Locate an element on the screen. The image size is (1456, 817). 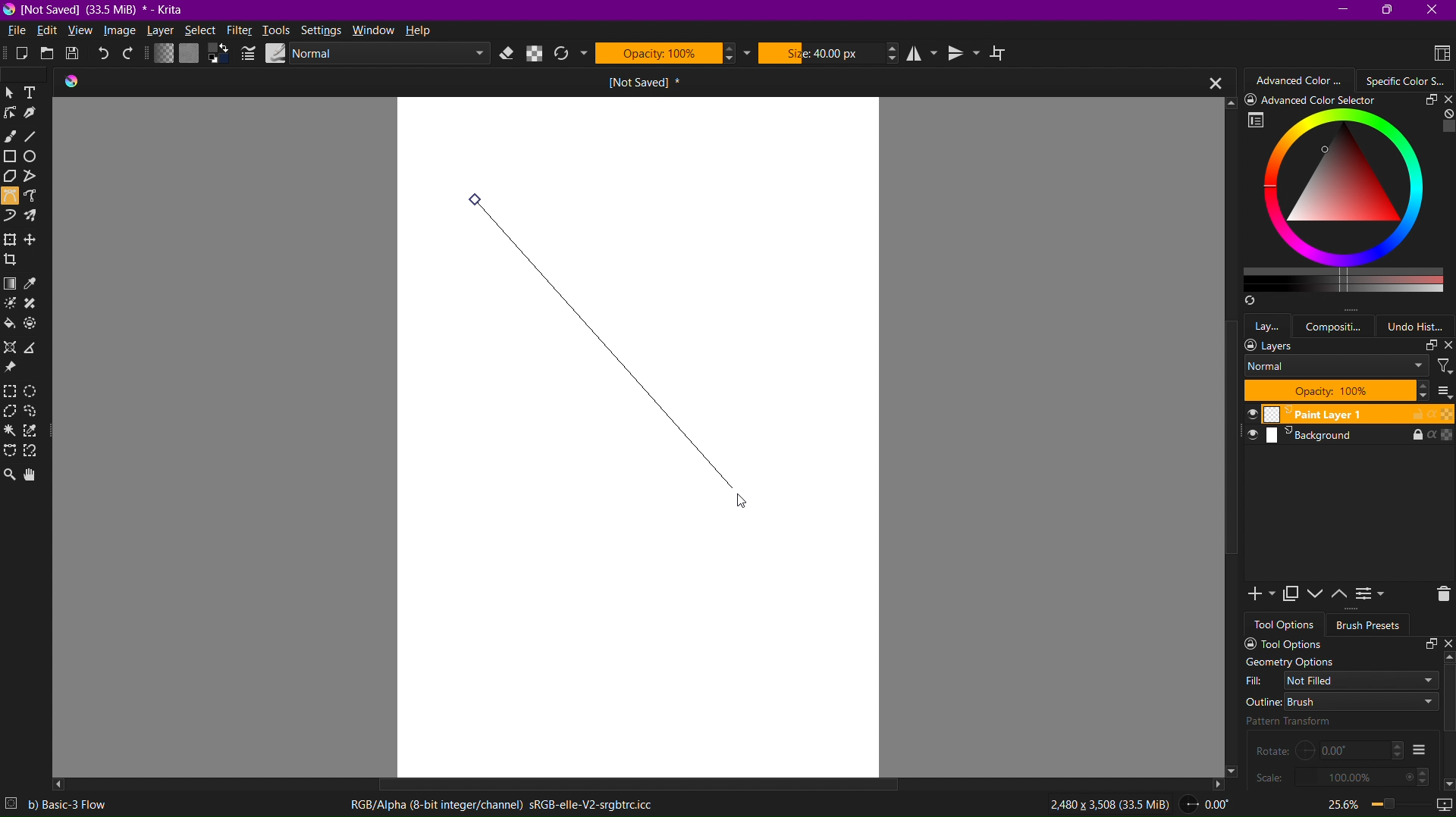
Tools is located at coordinates (278, 30).